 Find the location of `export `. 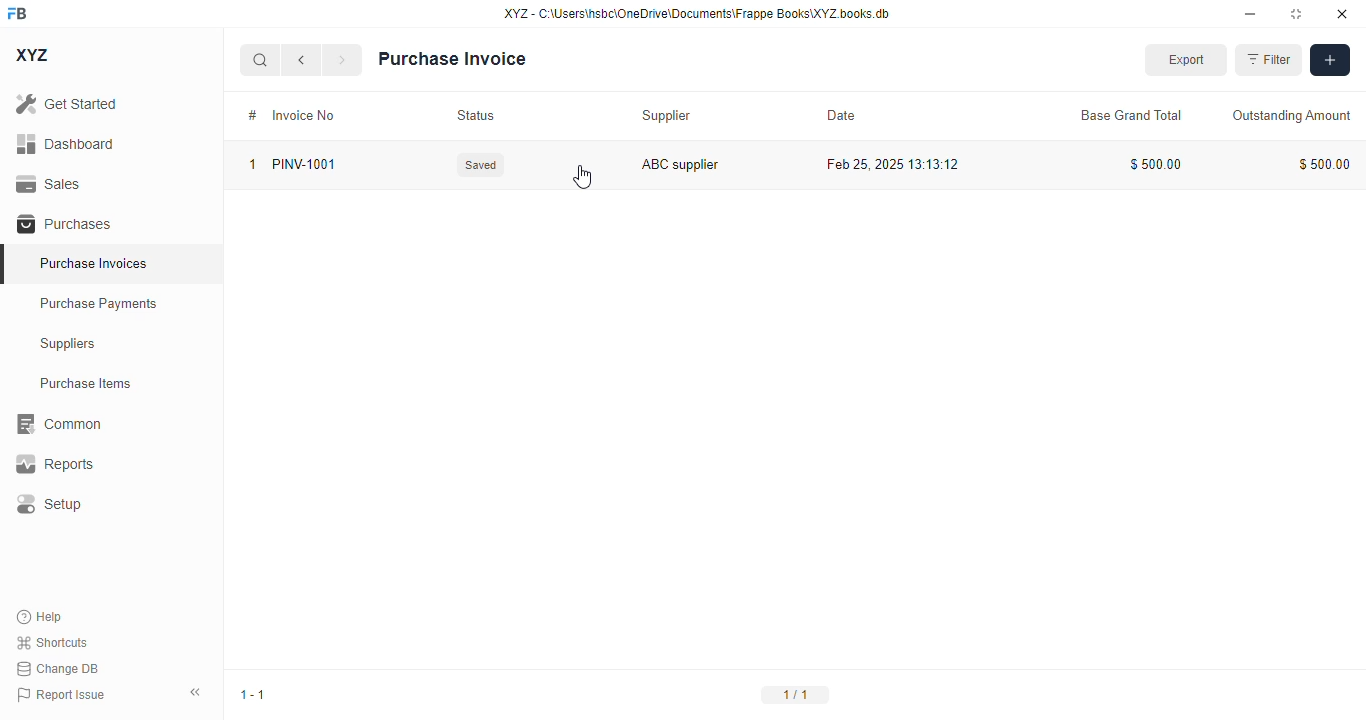

export  is located at coordinates (1187, 61).